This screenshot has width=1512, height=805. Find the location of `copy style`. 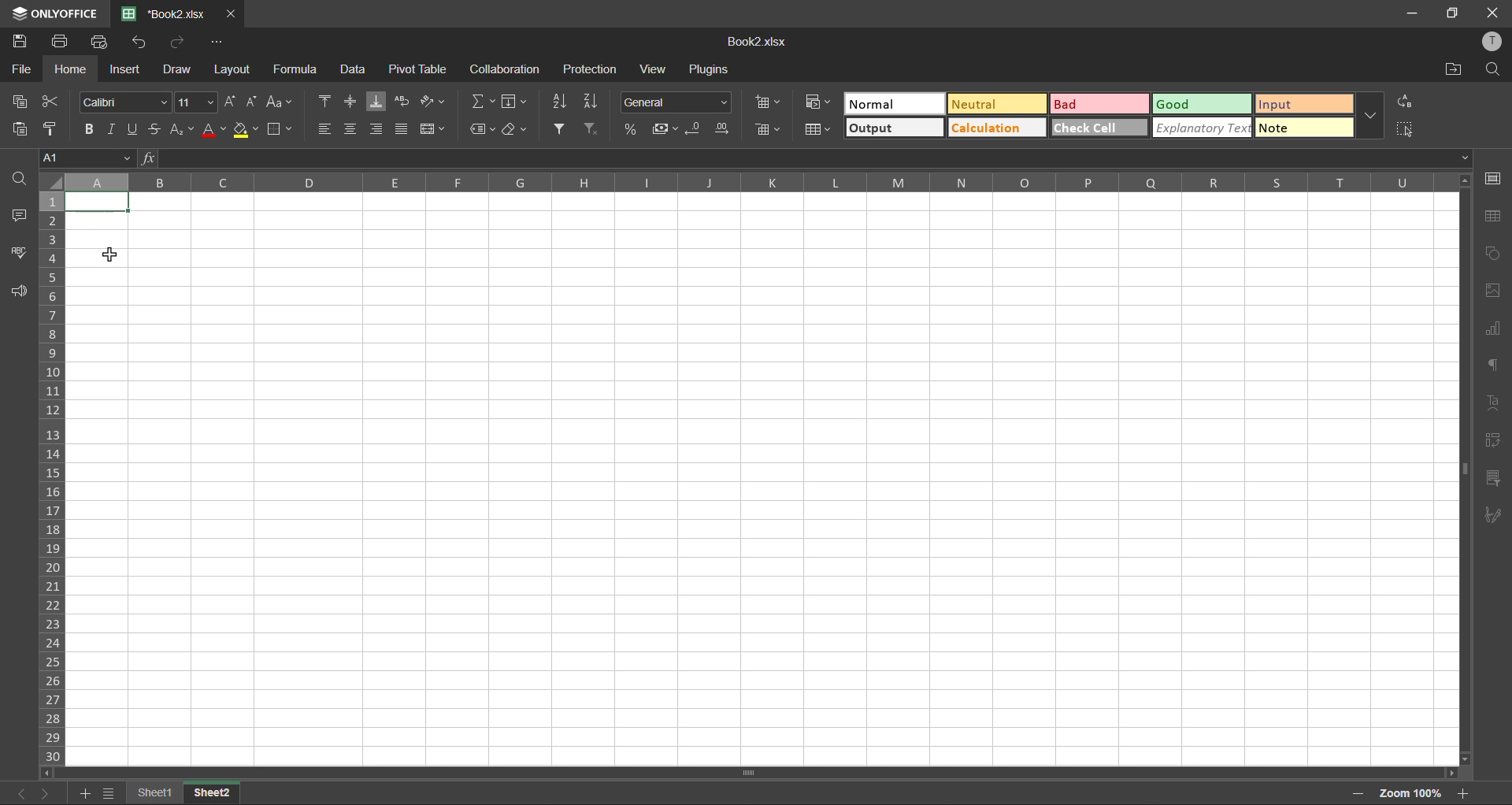

copy style is located at coordinates (56, 128).